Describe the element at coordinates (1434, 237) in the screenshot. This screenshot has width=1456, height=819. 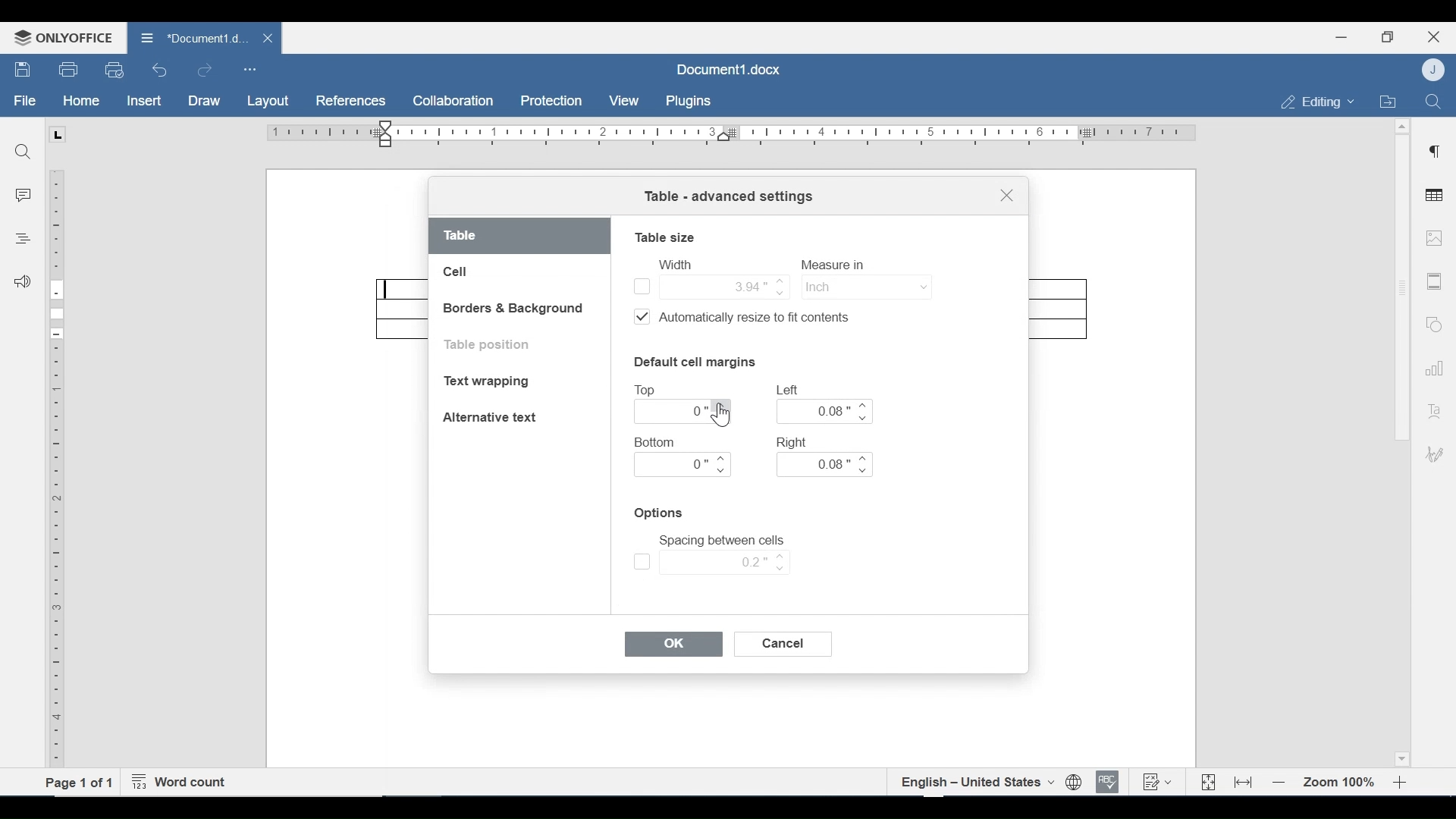
I see `image` at that location.